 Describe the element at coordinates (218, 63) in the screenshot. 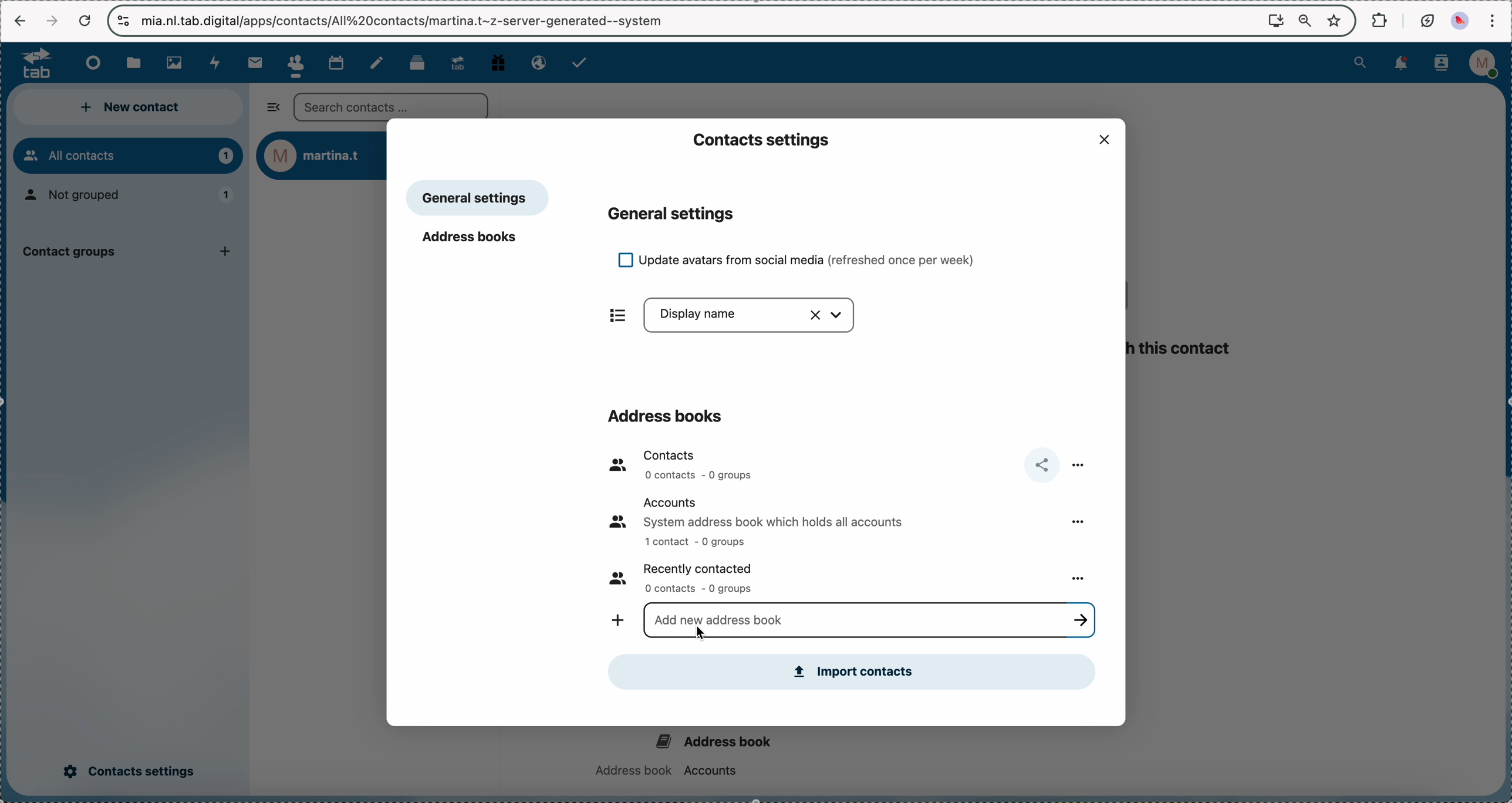

I see `activity` at that location.